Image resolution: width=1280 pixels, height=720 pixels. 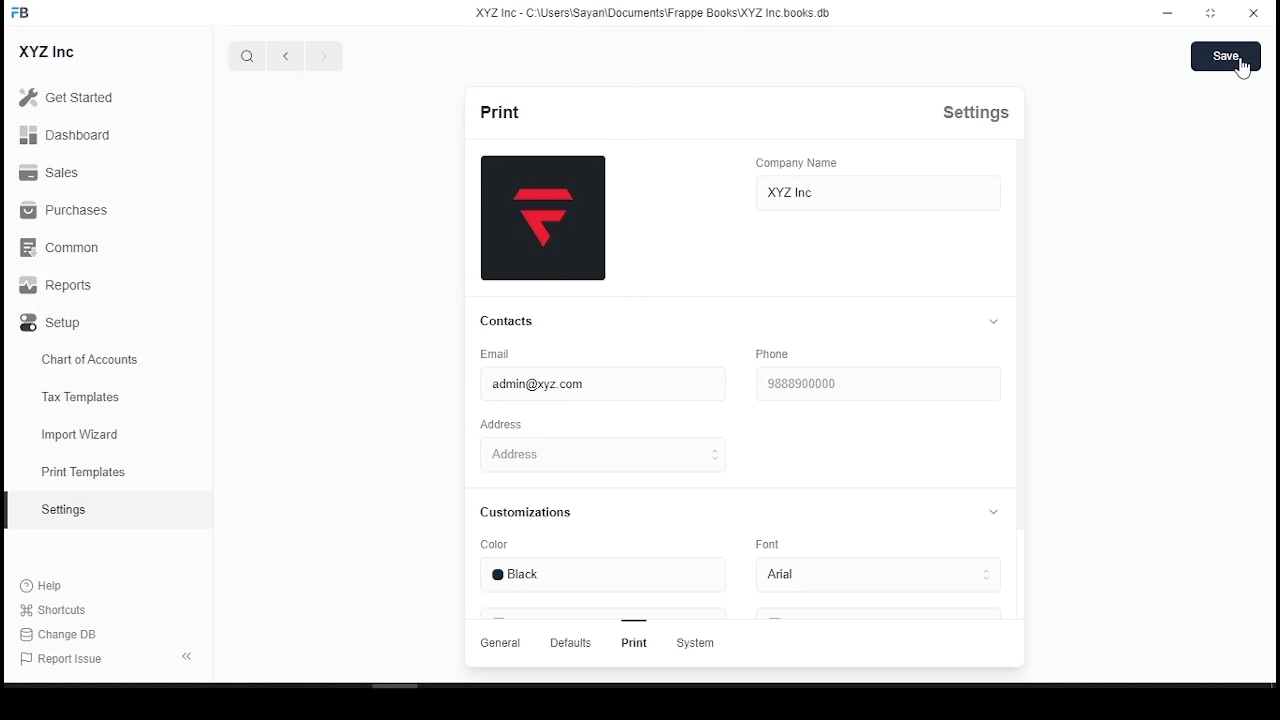 I want to click on Reports, so click(x=54, y=285).